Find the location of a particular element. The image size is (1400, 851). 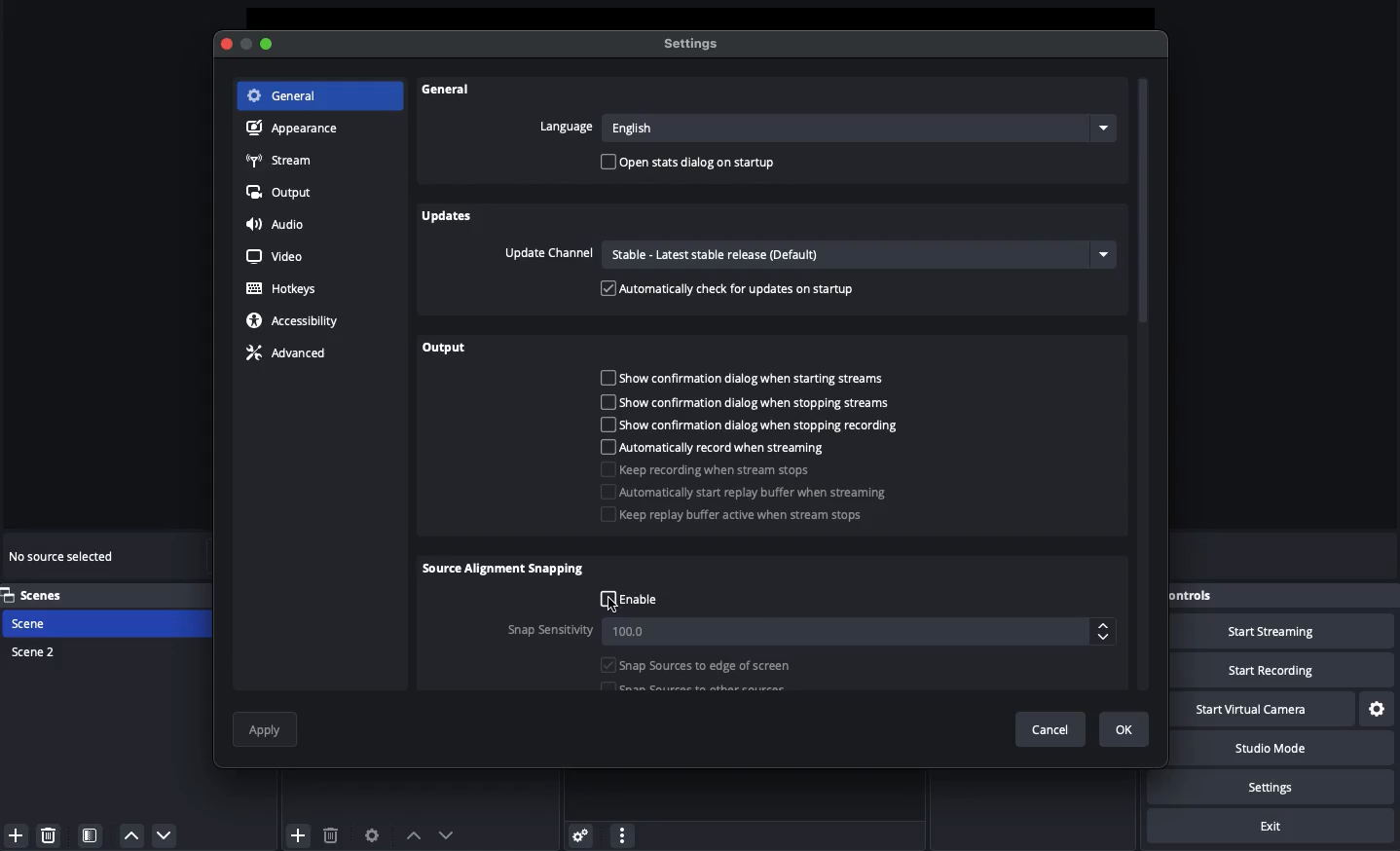

Advanced is located at coordinates (293, 354).